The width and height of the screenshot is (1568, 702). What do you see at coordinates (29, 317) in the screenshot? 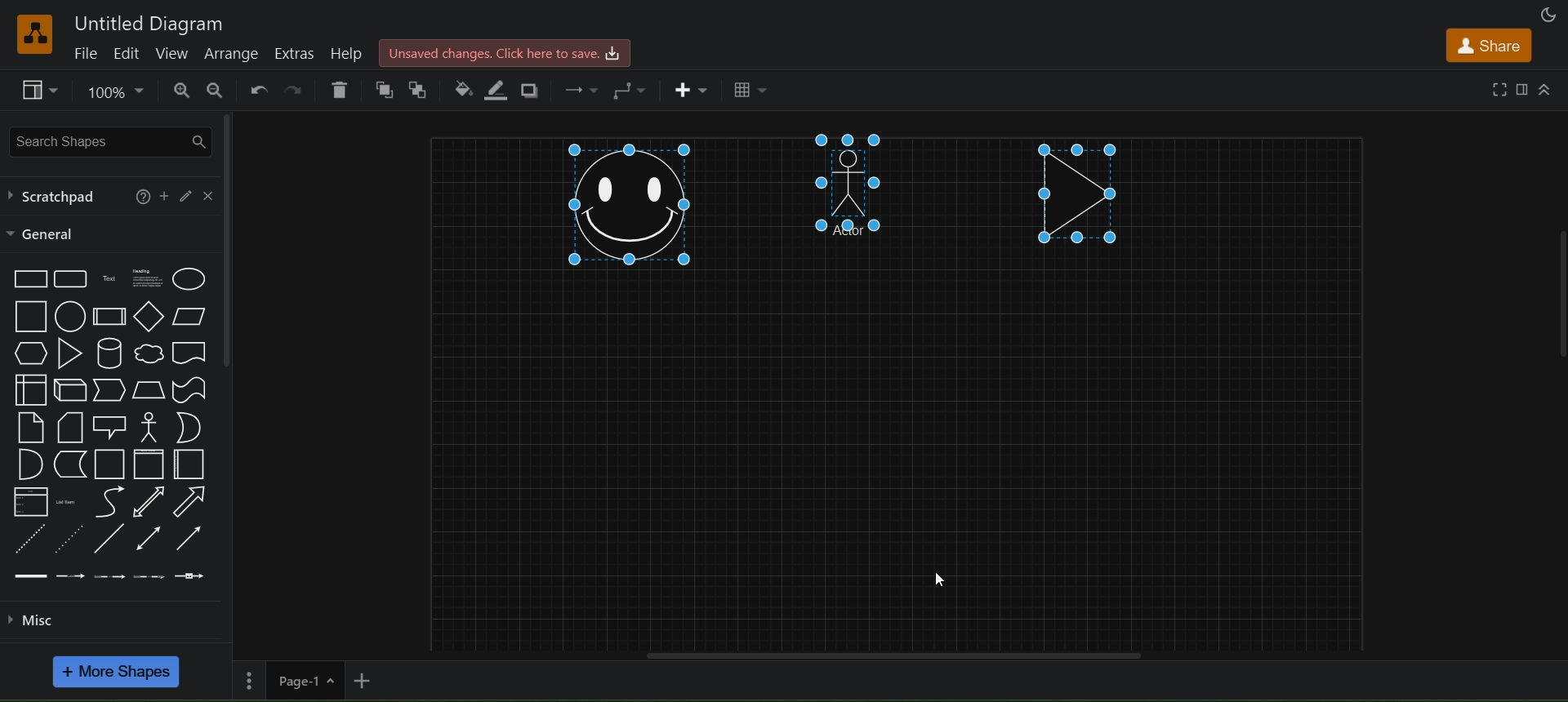
I see `square` at bounding box center [29, 317].